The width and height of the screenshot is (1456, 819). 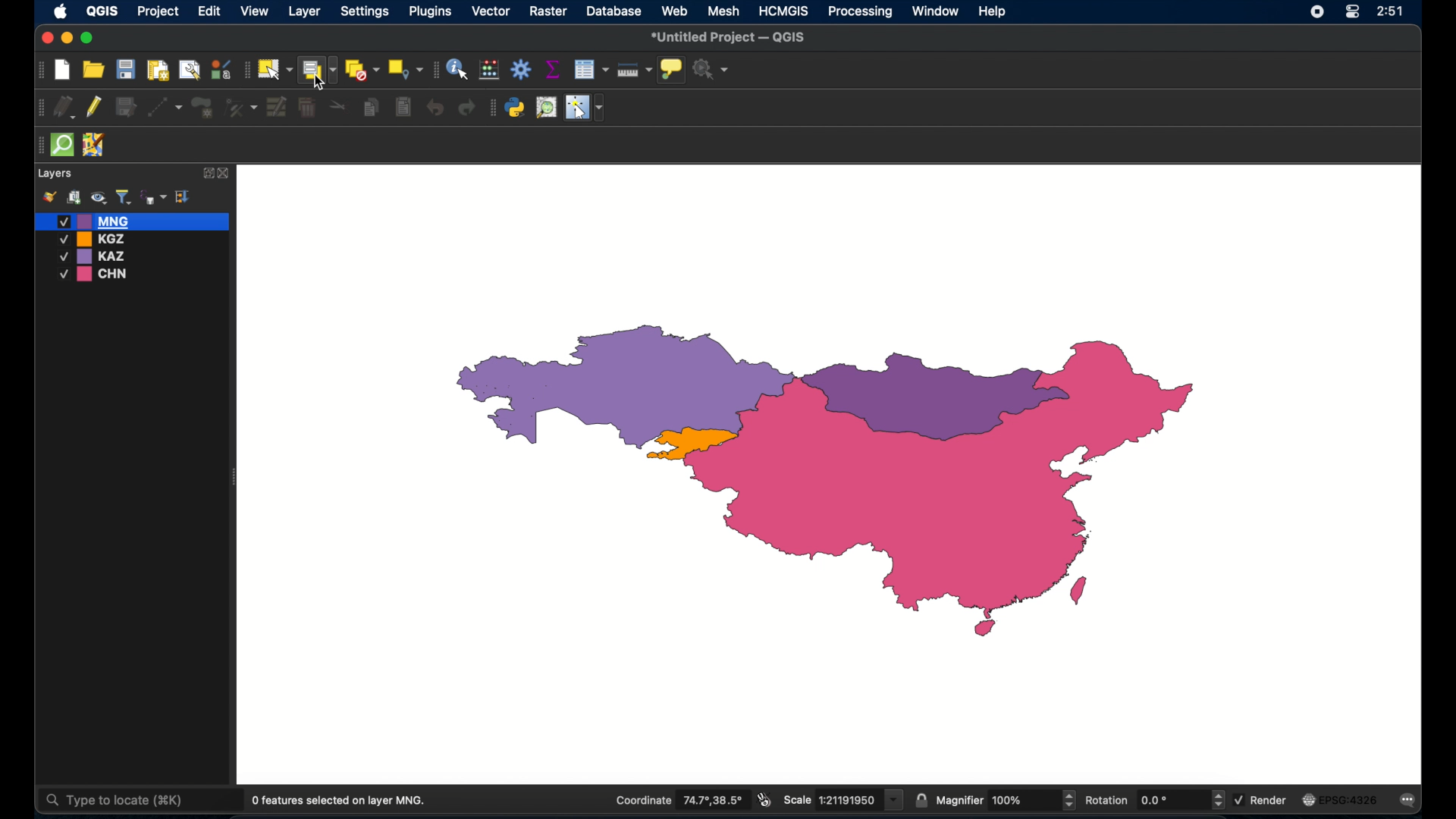 What do you see at coordinates (362, 70) in the screenshot?
I see `deselect all features` at bounding box center [362, 70].